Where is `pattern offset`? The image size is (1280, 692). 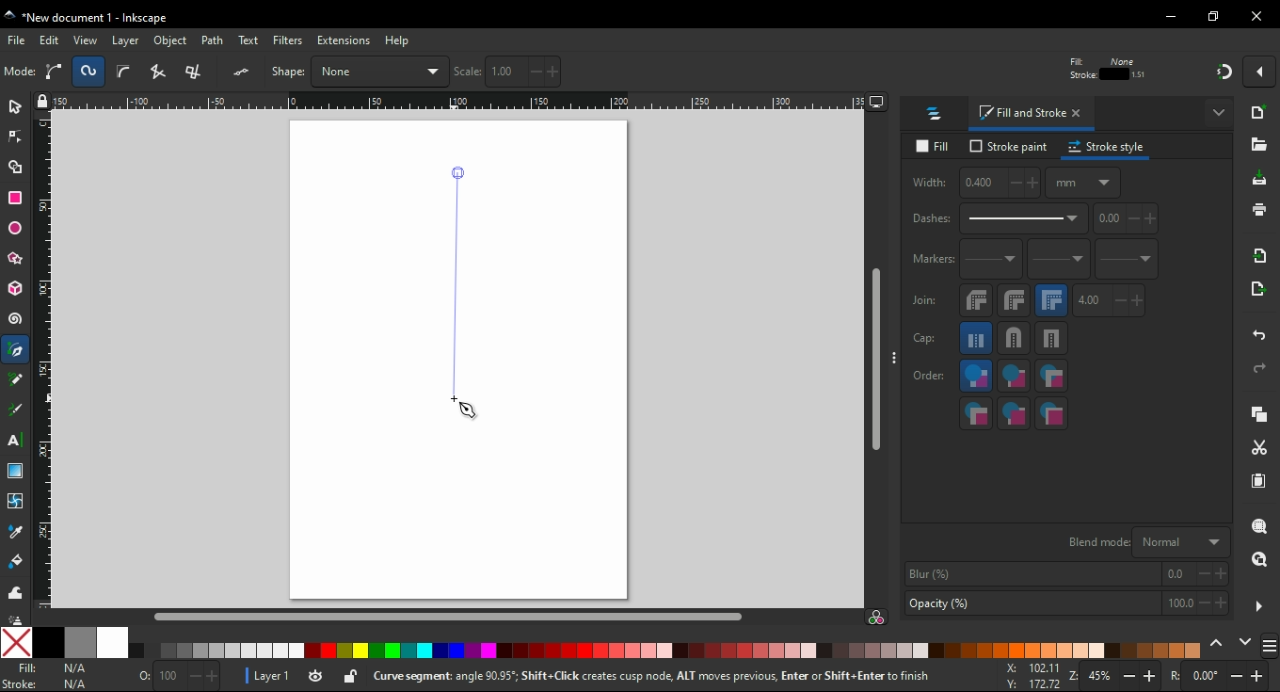
pattern offset is located at coordinates (1127, 219).